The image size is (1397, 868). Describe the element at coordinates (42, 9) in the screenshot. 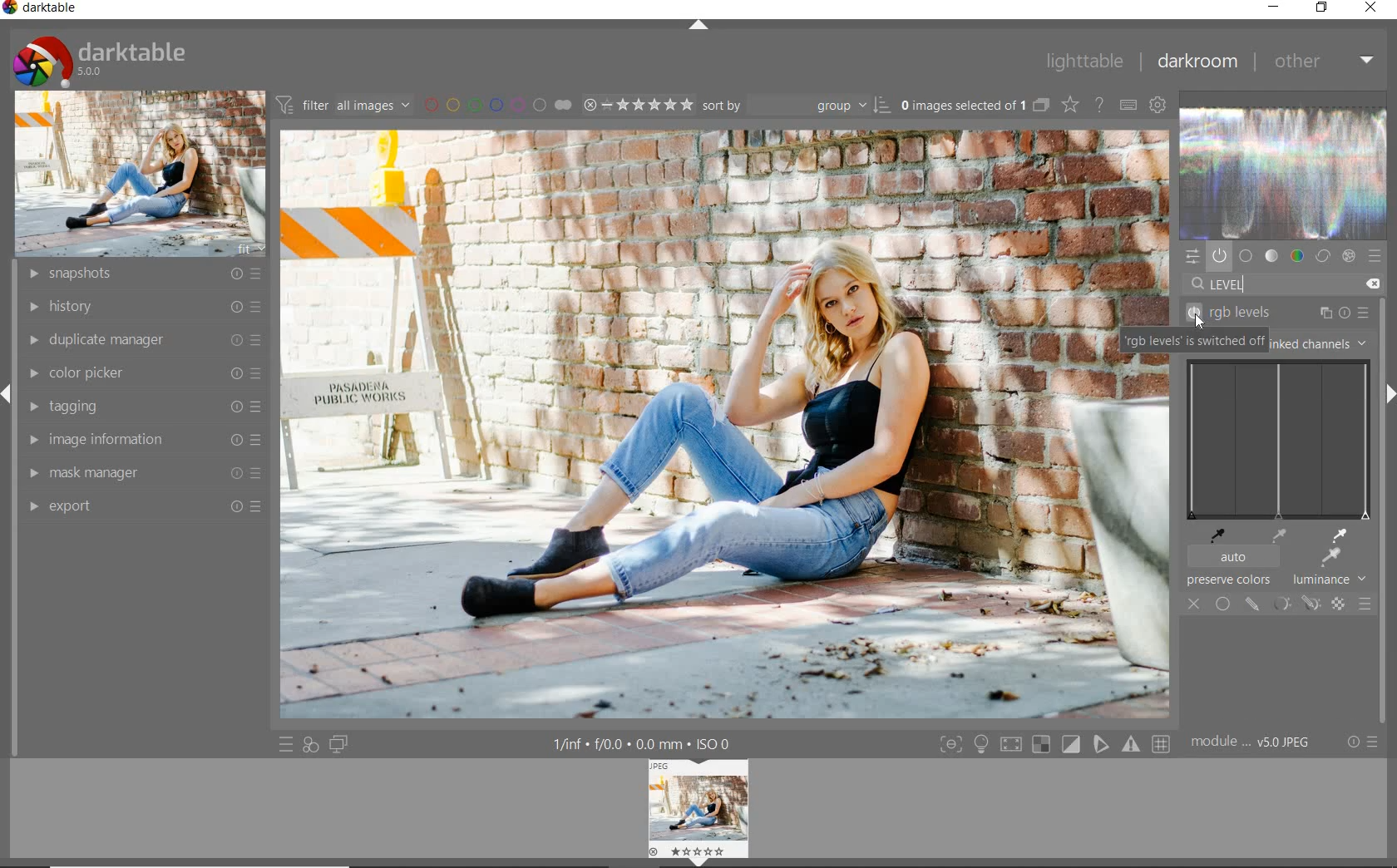

I see `system name` at that location.